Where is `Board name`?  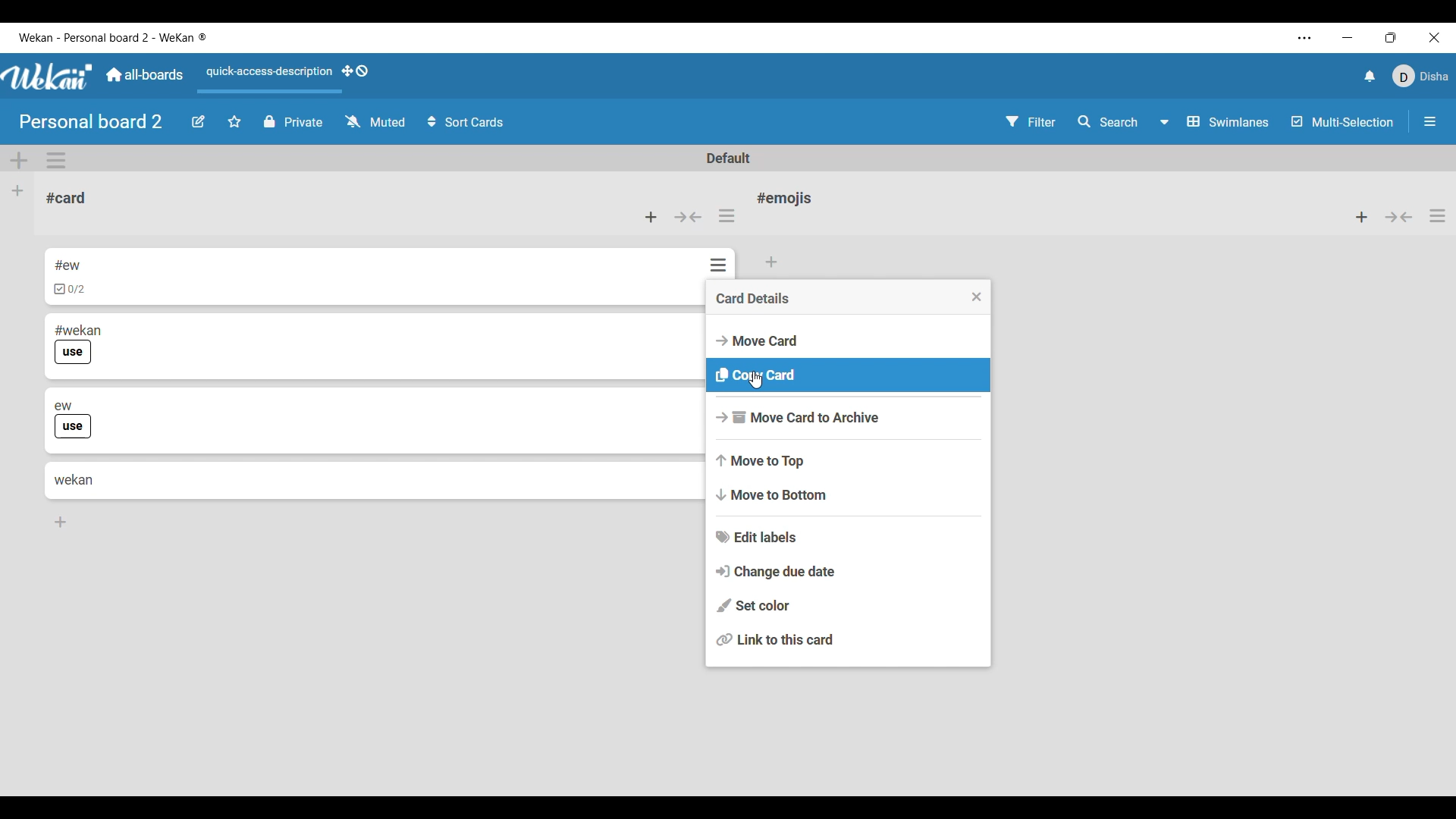
Board name is located at coordinates (93, 121).